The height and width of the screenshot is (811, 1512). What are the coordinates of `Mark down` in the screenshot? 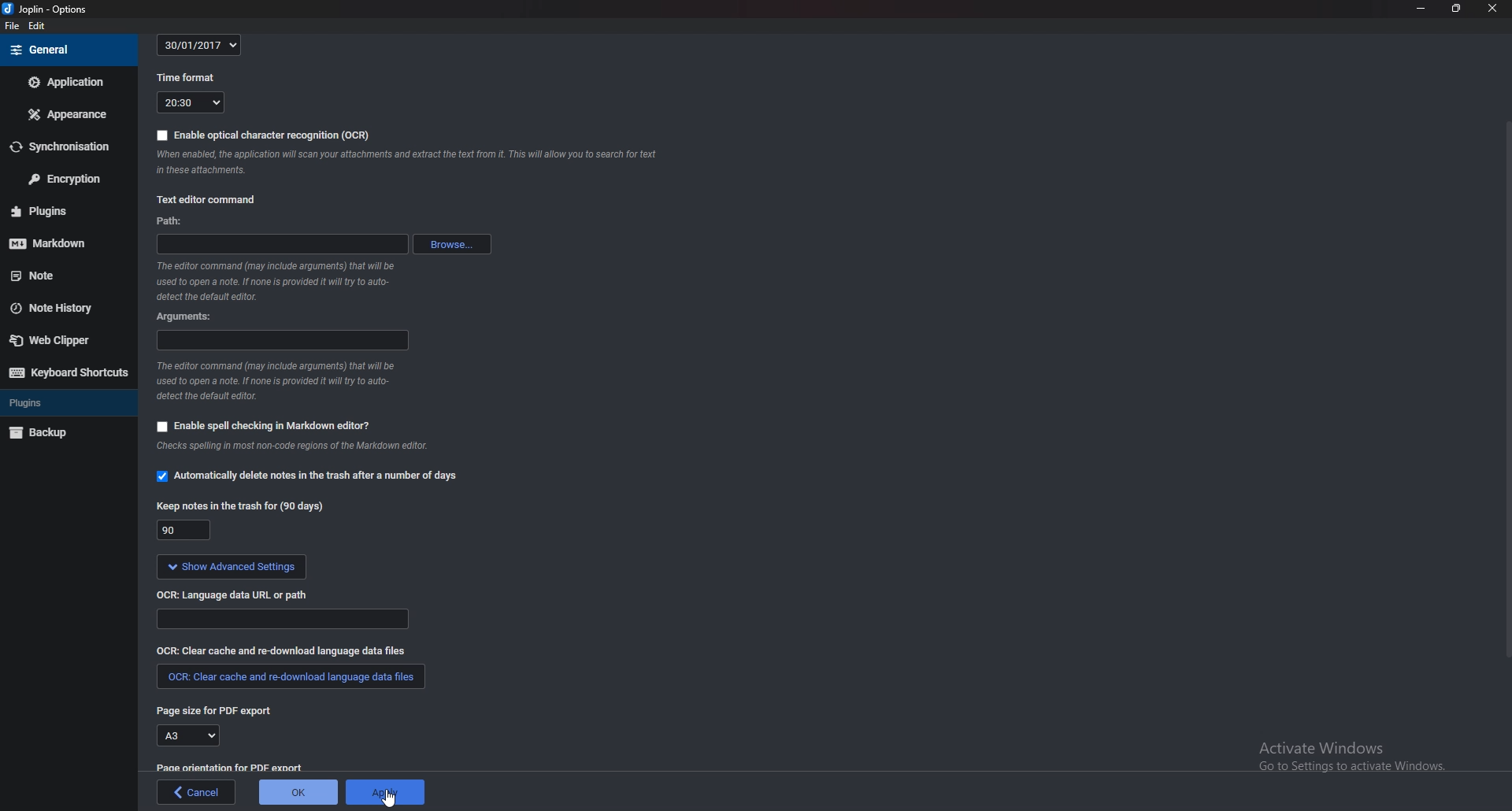 It's located at (59, 243).